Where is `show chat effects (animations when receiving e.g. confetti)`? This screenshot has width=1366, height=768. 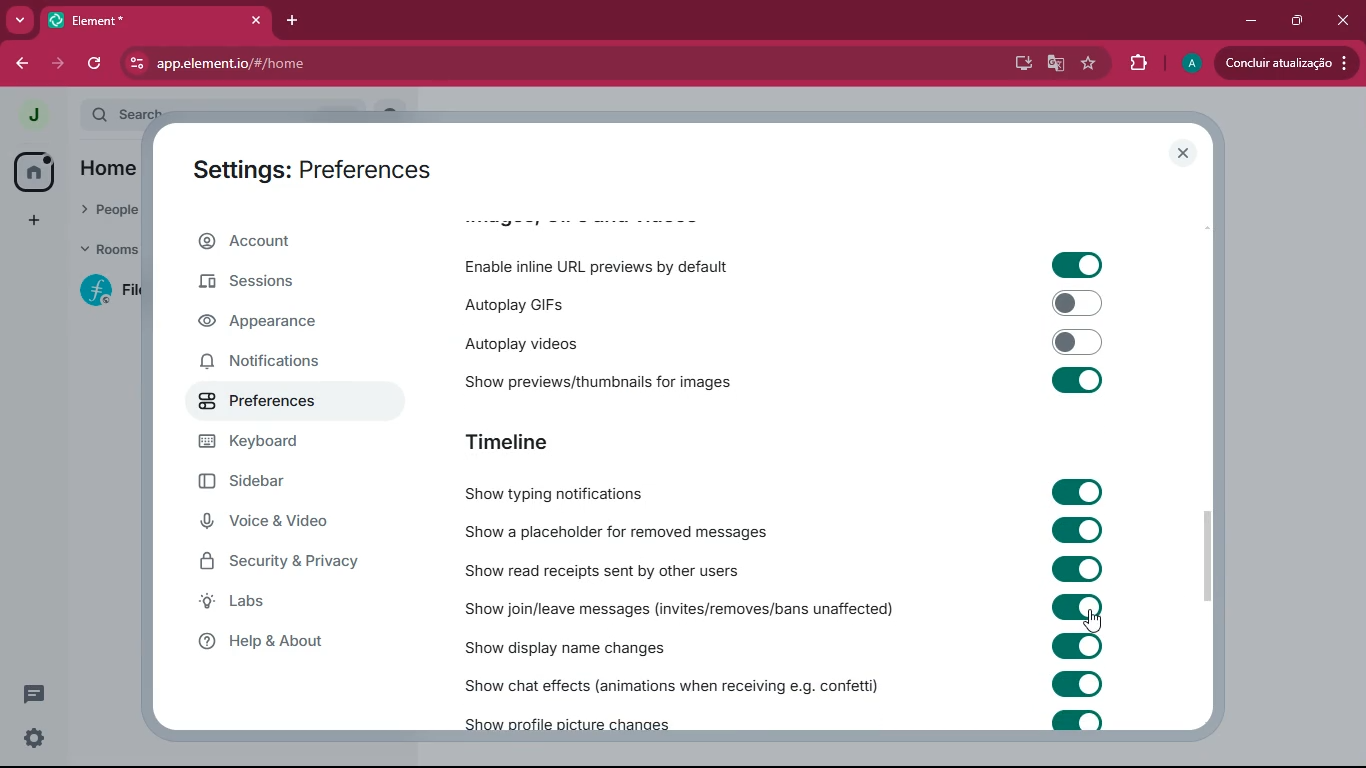
show chat effects (animations when receiving e.g. confetti) is located at coordinates (665, 684).